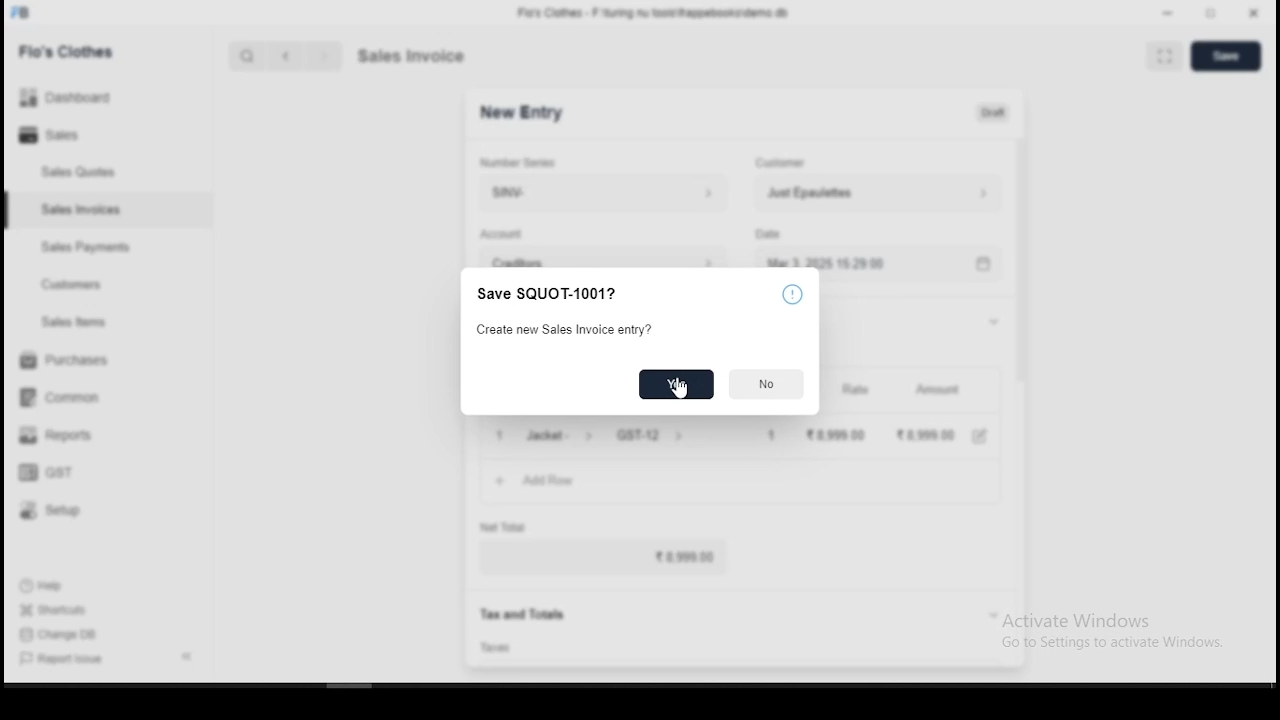 This screenshot has width=1280, height=720. Describe the element at coordinates (82, 53) in the screenshot. I see `Flo's clothes` at that location.